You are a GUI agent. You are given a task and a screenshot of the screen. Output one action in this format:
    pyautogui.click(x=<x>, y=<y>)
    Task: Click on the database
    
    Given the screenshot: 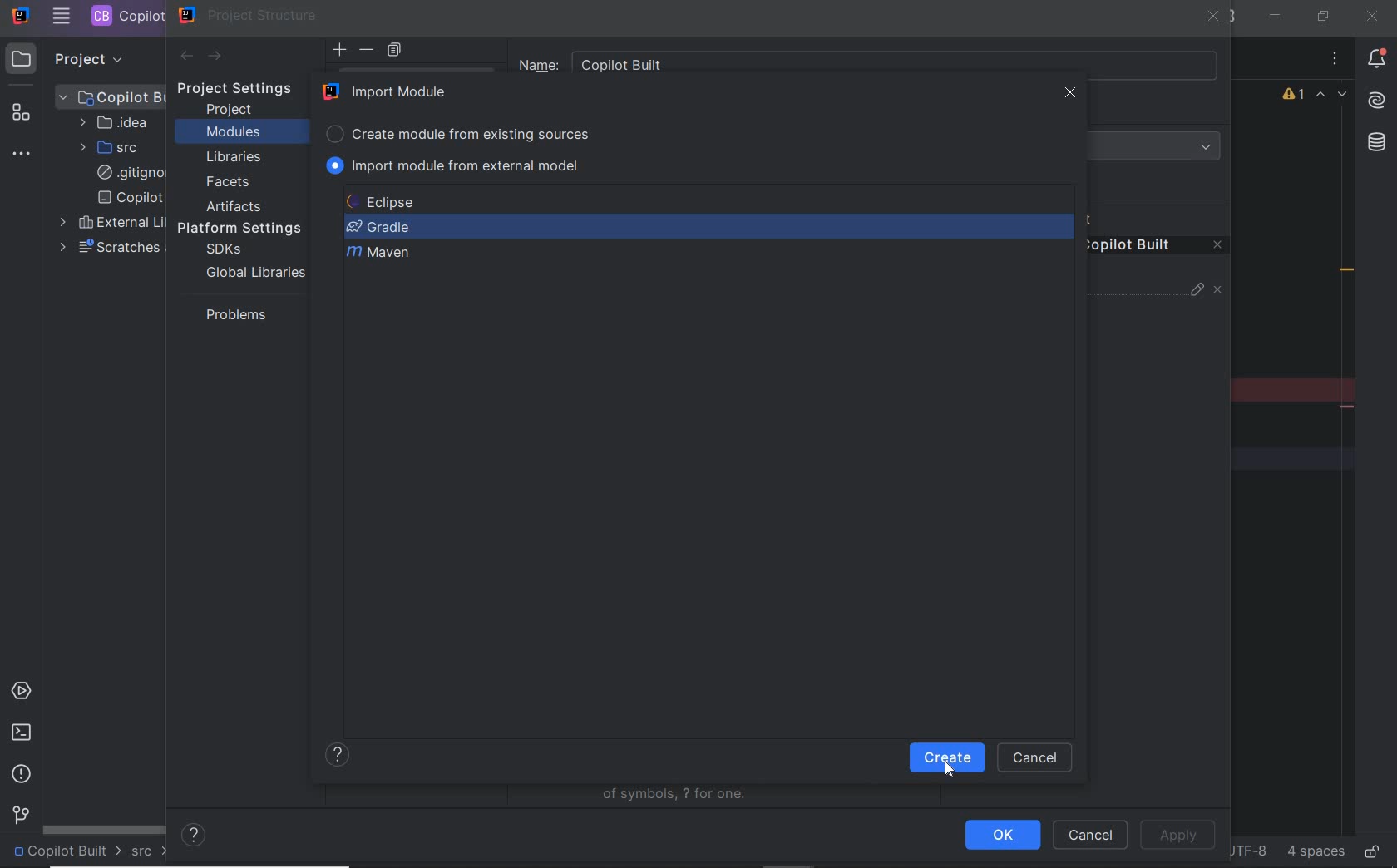 What is the action you would take?
    pyautogui.click(x=1375, y=145)
    